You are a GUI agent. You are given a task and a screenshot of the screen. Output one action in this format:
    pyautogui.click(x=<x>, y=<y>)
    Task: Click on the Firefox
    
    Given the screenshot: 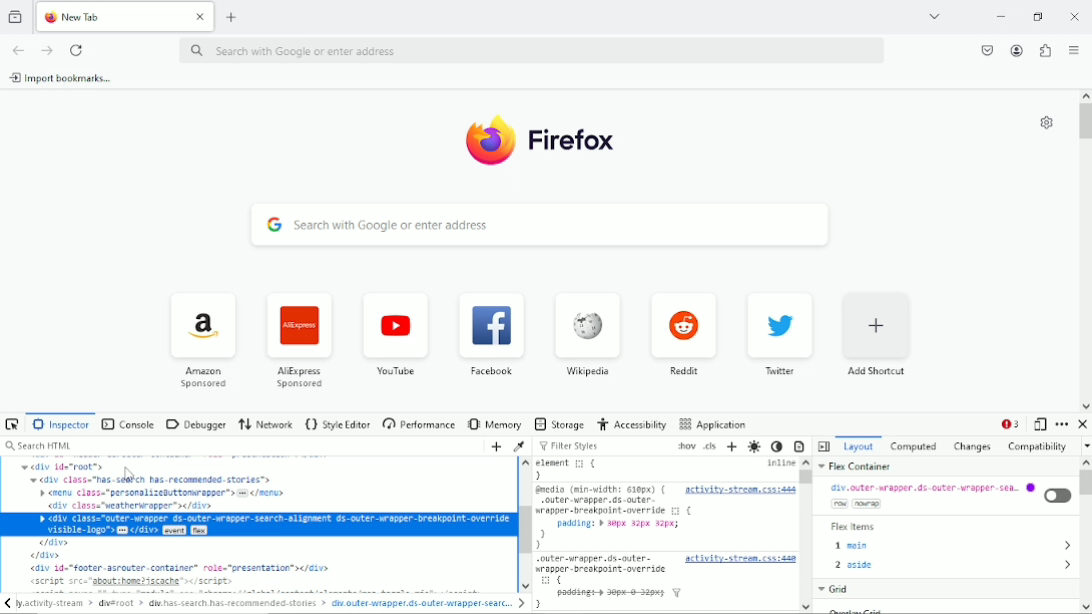 What is the action you would take?
    pyautogui.click(x=572, y=145)
    